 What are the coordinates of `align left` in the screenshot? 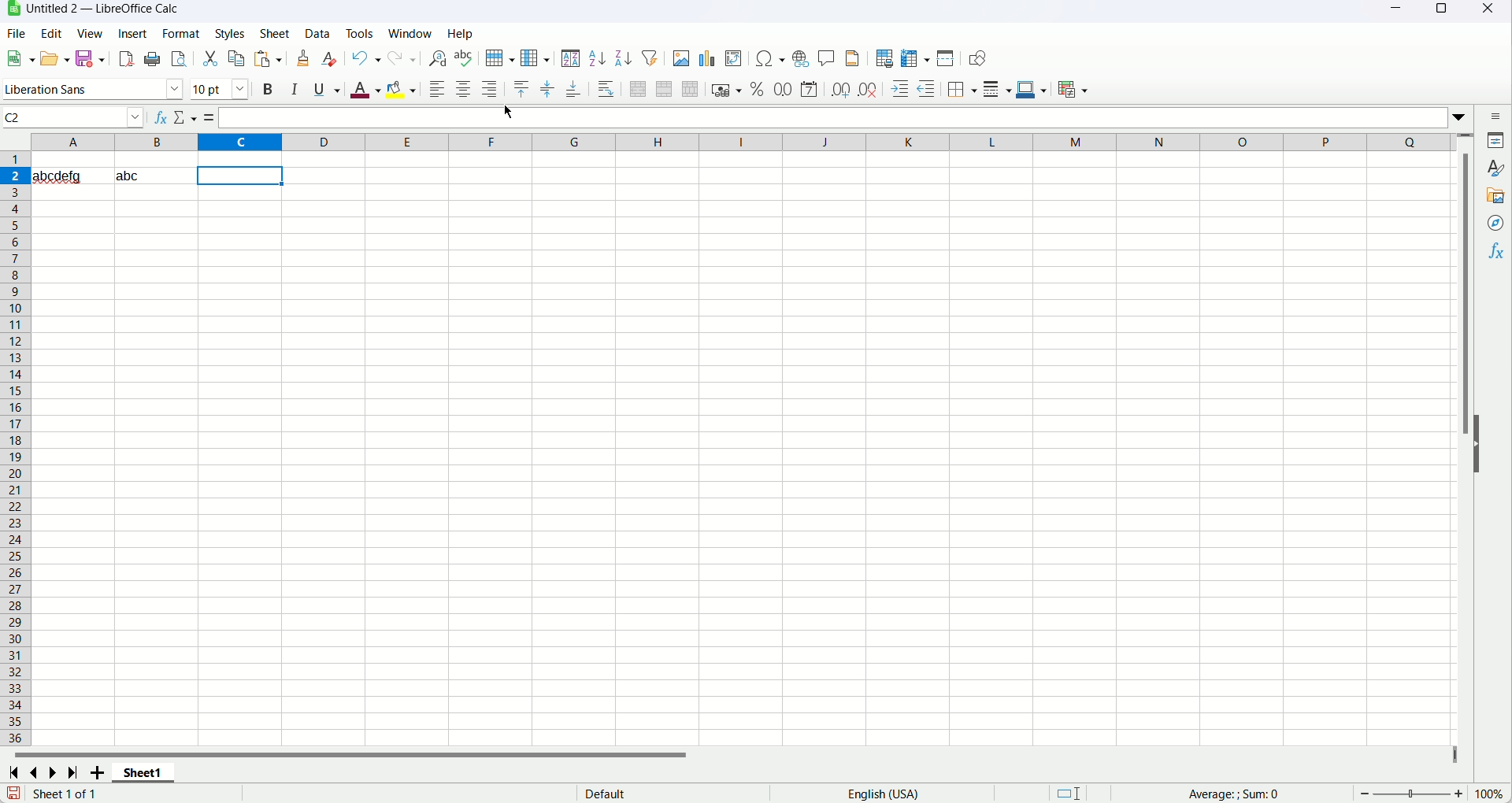 It's located at (439, 89).